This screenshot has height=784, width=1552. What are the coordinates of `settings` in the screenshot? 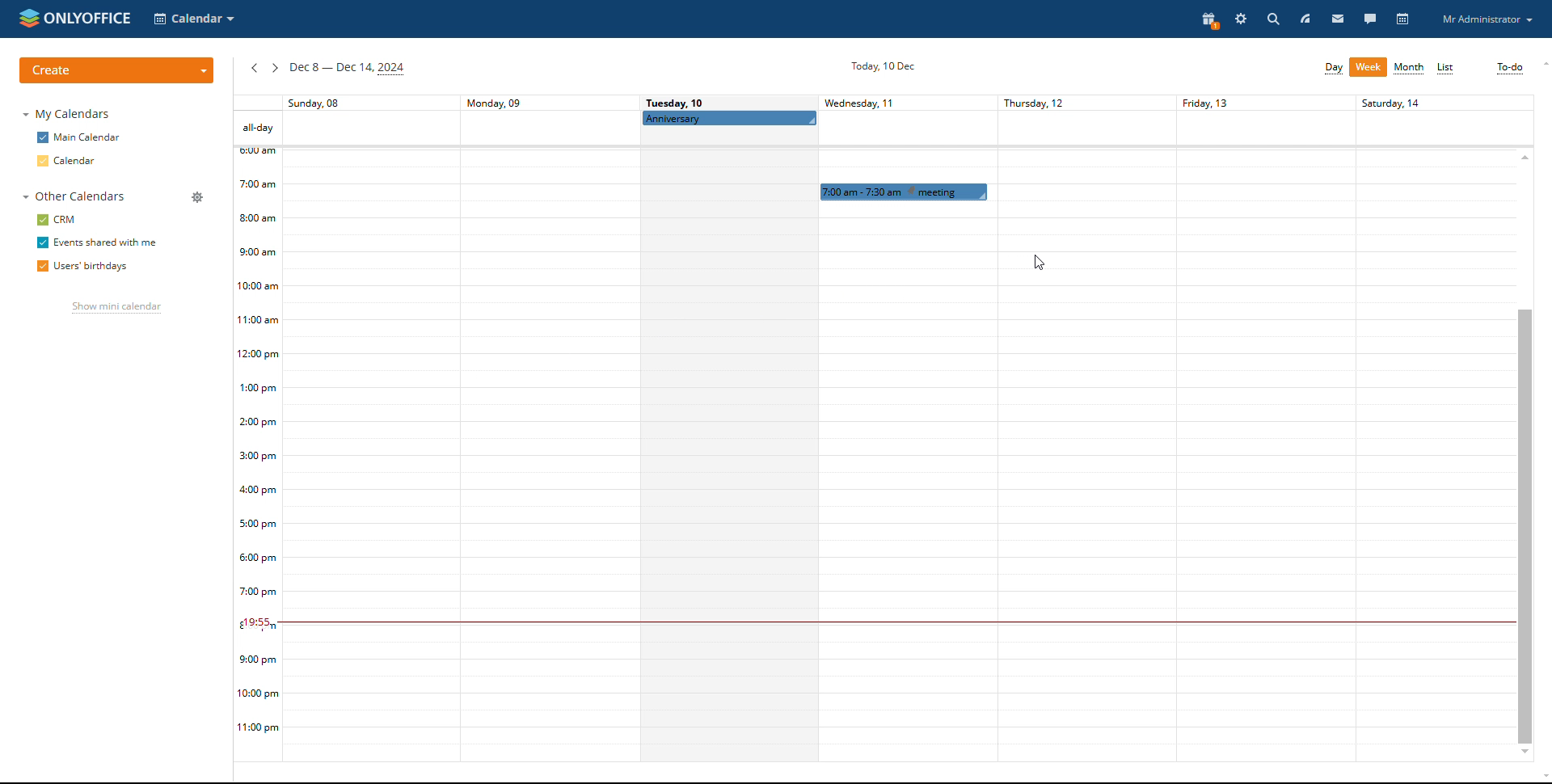 It's located at (1240, 19).